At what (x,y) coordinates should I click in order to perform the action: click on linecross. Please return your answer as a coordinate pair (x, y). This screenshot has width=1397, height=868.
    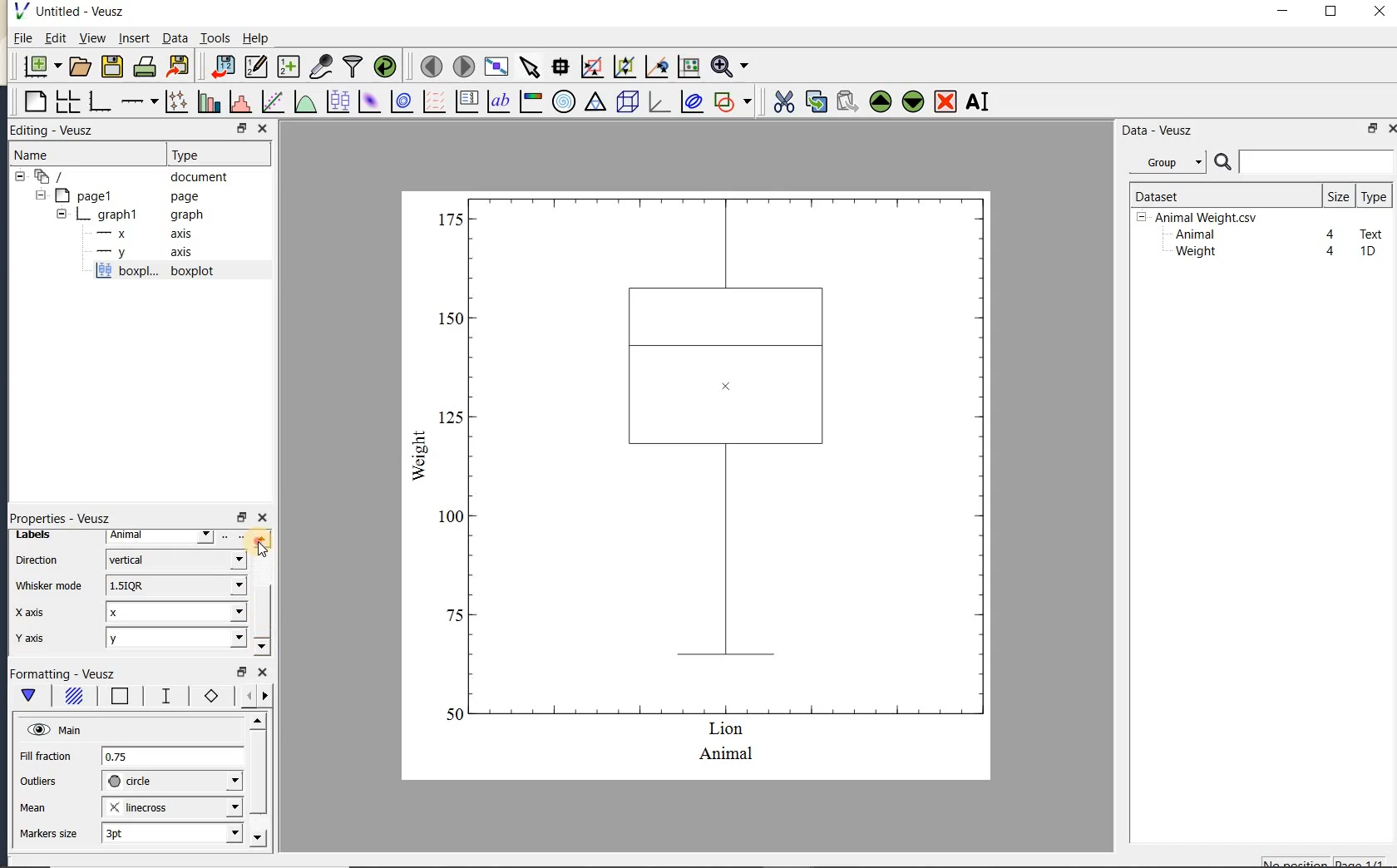
    Looking at the image, I should click on (170, 806).